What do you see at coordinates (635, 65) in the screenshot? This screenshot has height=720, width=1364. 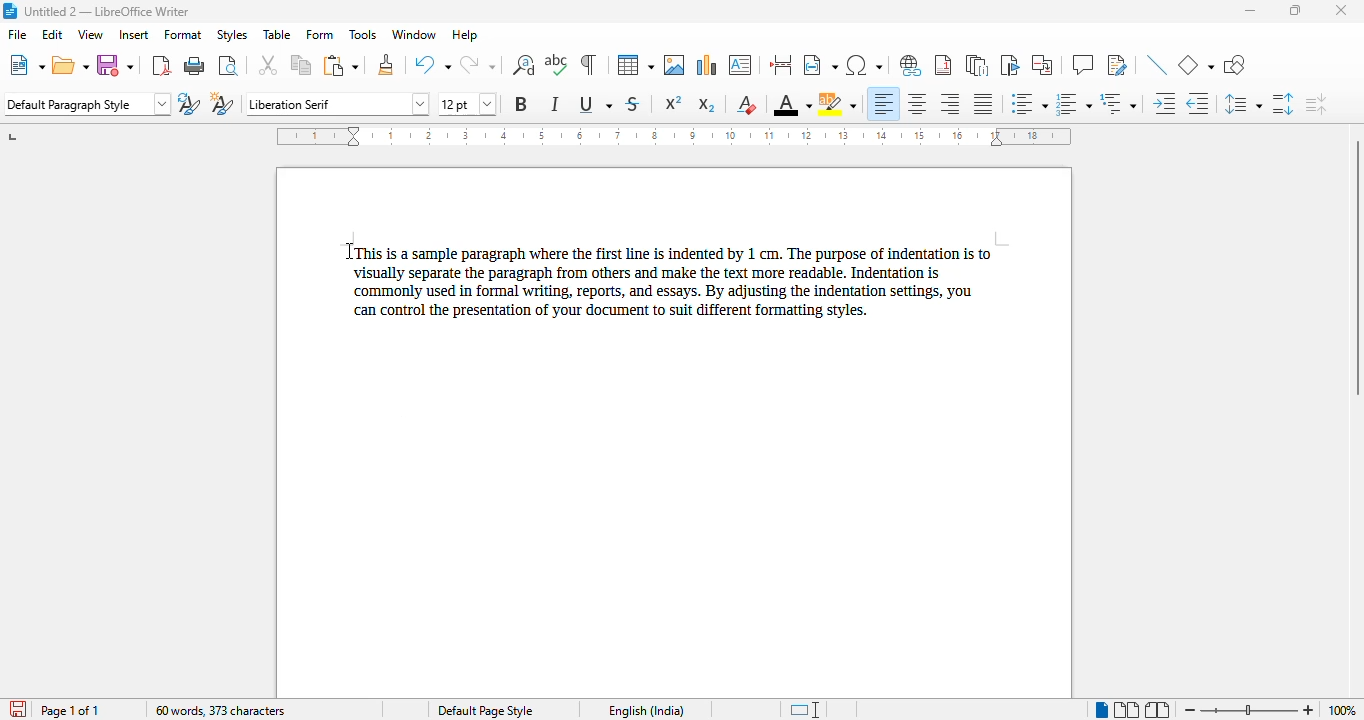 I see `table` at bounding box center [635, 65].